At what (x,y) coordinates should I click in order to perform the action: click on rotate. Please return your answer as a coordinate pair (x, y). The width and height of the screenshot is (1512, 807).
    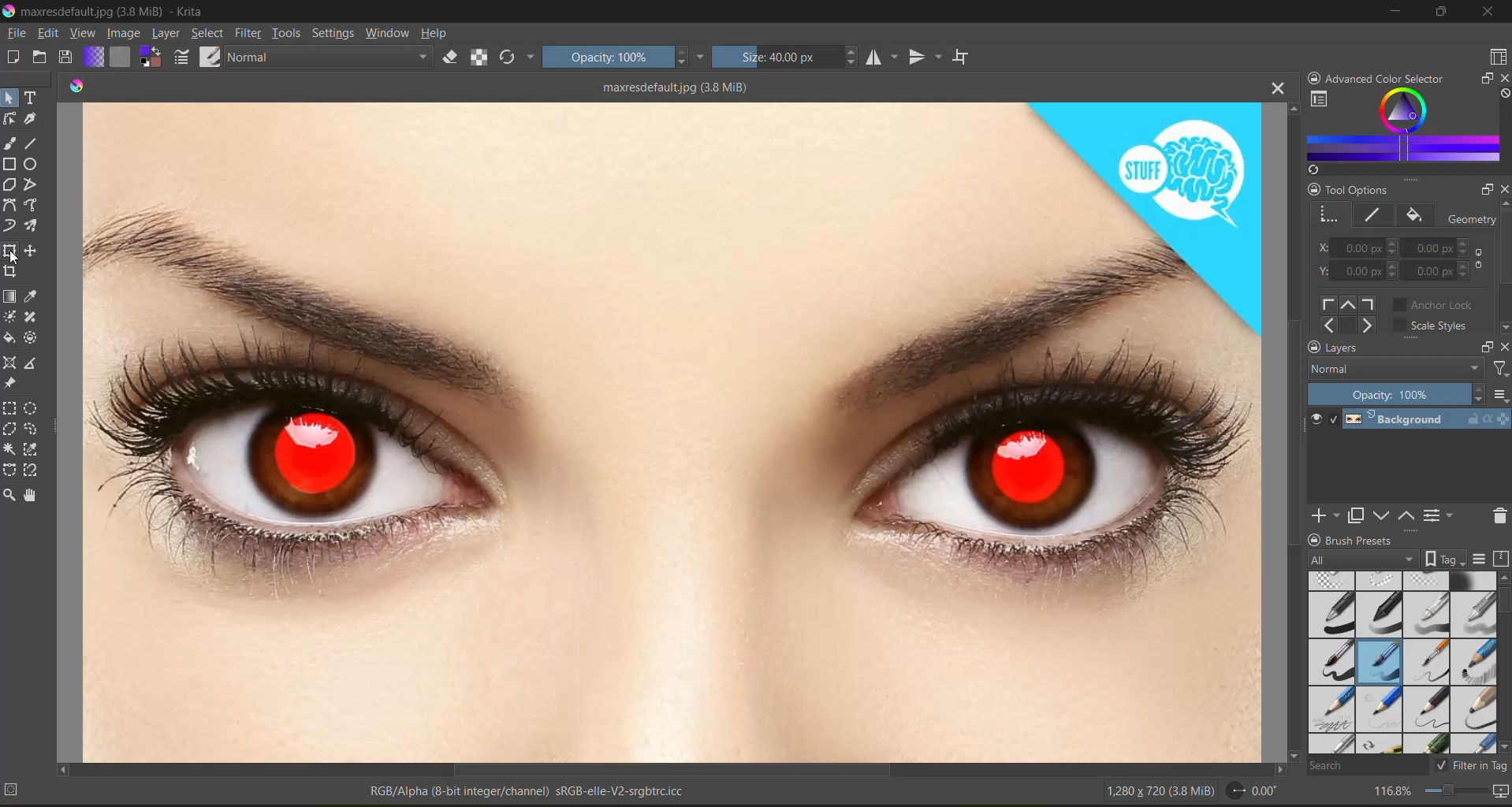
    Looking at the image, I should click on (1253, 791).